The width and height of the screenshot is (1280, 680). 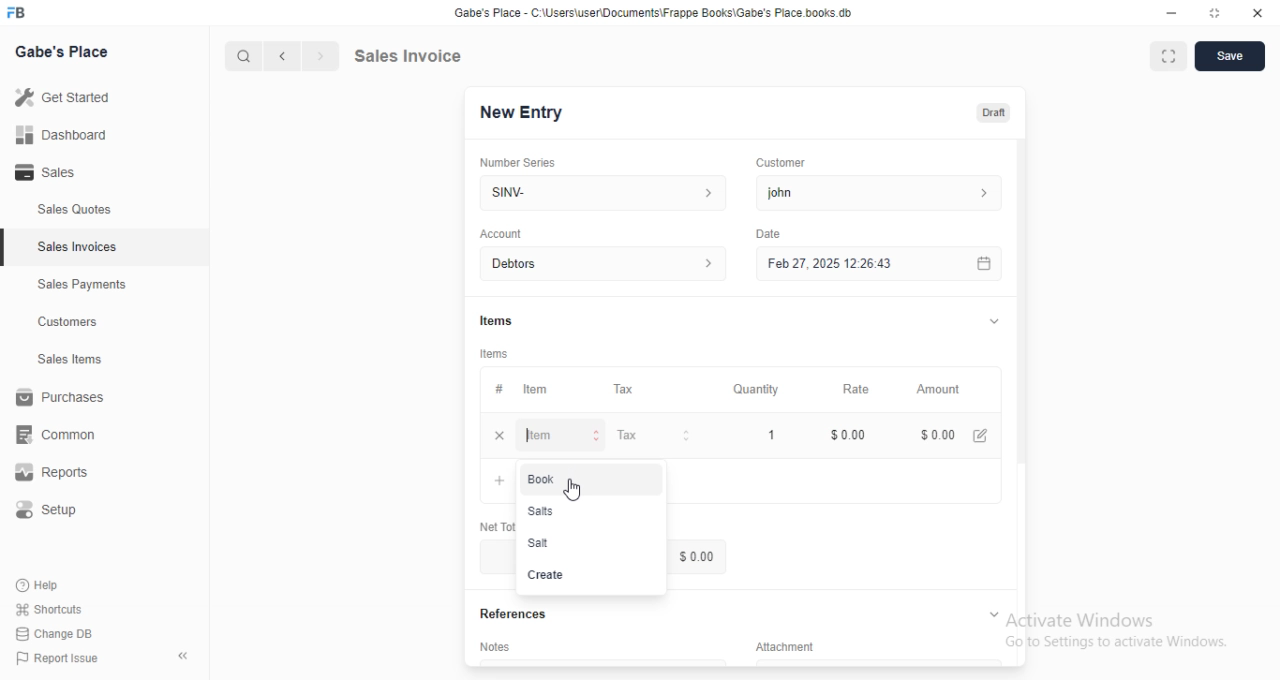 I want to click on Expand, so click(x=989, y=321).